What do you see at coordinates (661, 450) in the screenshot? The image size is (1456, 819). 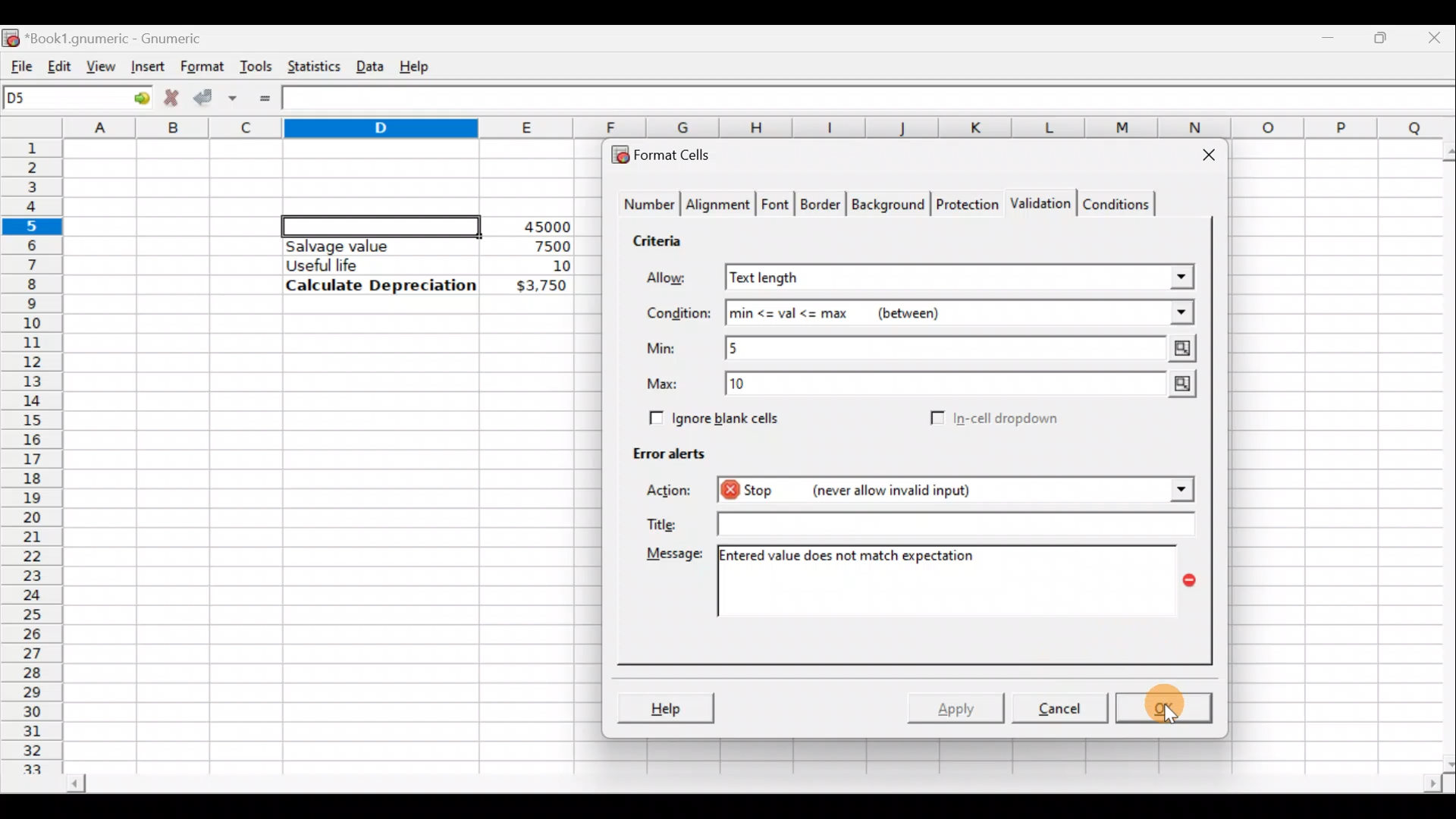 I see `Error alerts` at bounding box center [661, 450].